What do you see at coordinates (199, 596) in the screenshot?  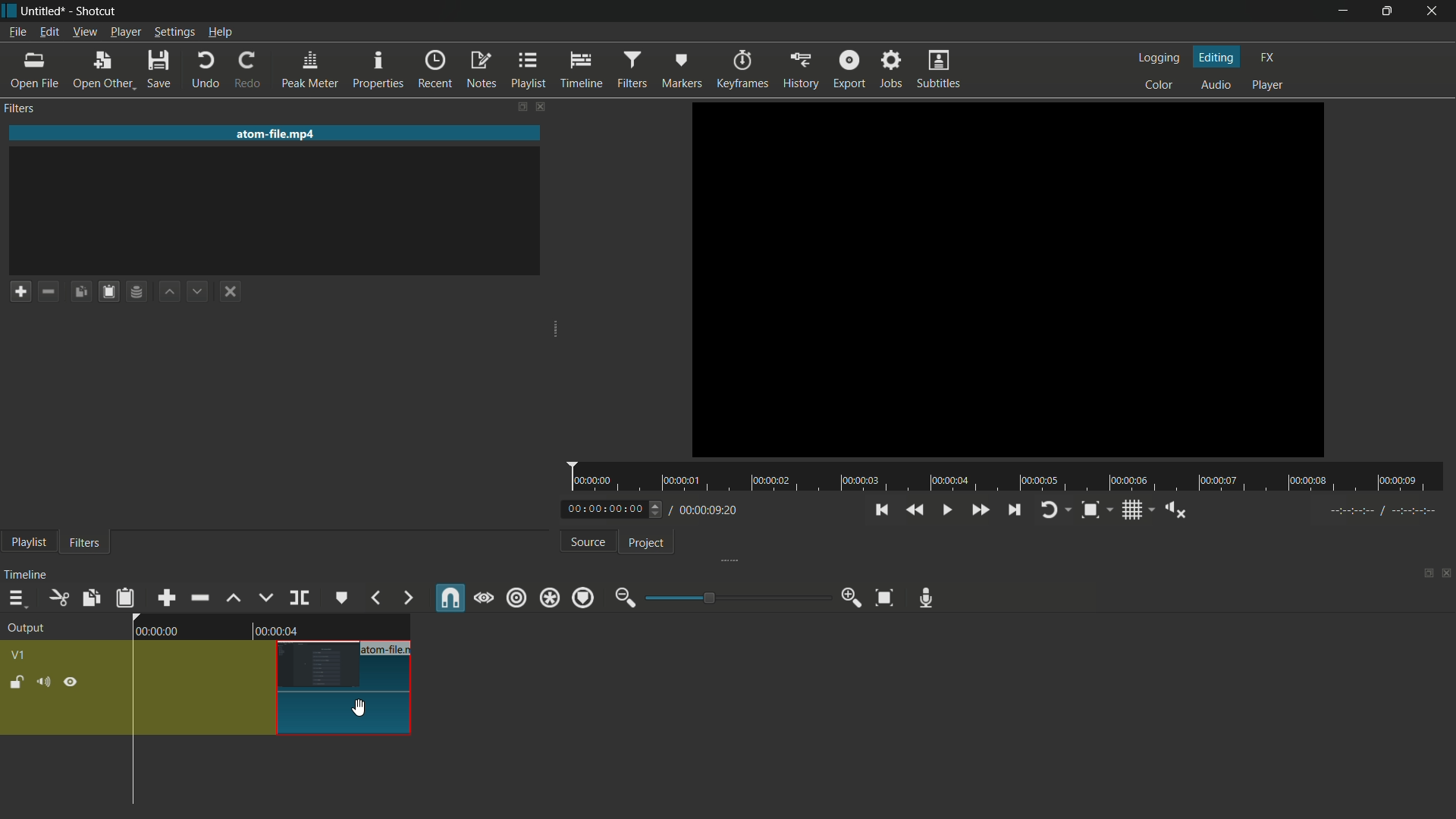 I see `ripple delete` at bounding box center [199, 596].